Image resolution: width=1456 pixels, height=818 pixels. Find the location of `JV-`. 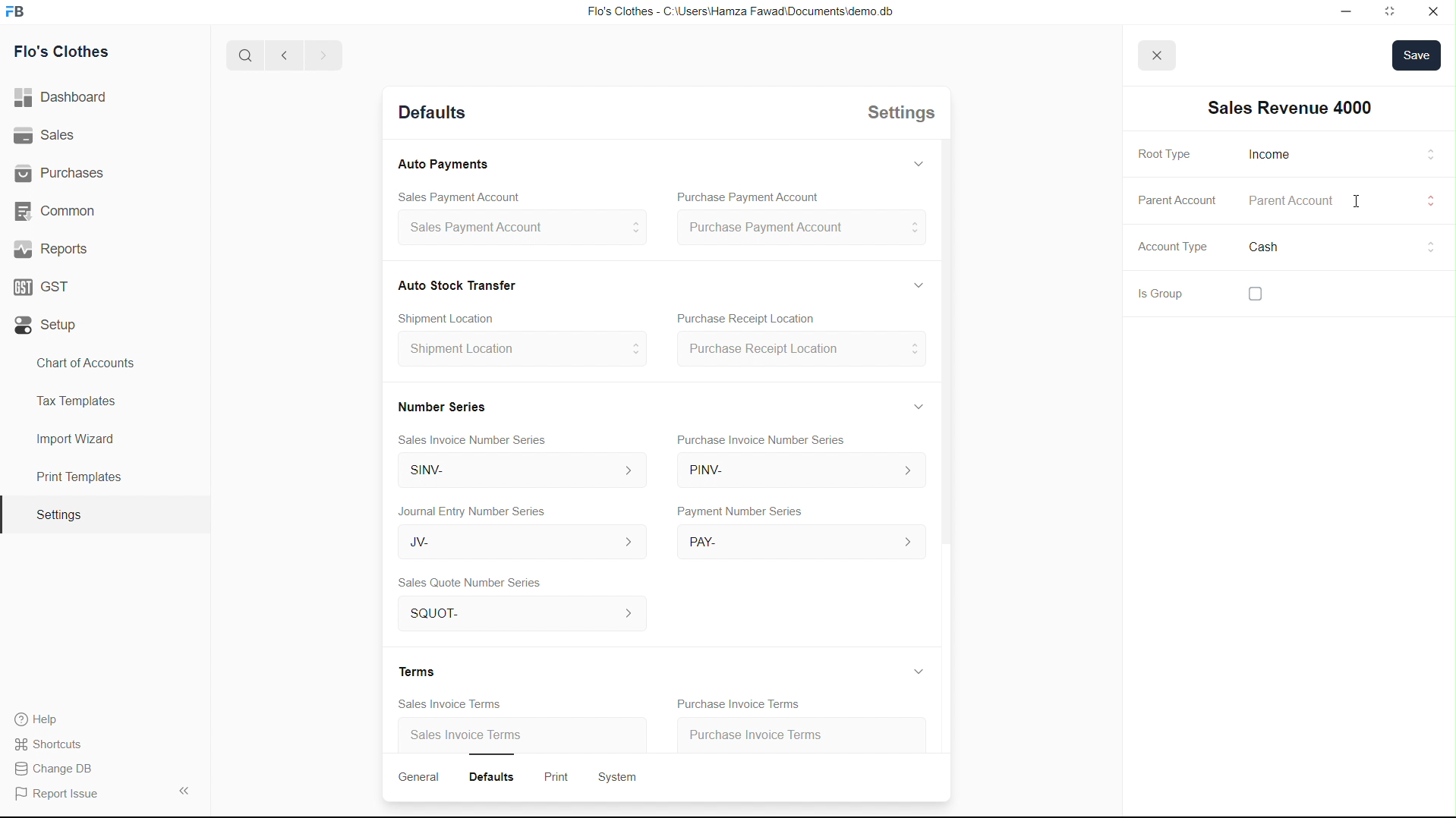

JV- is located at coordinates (513, 543).